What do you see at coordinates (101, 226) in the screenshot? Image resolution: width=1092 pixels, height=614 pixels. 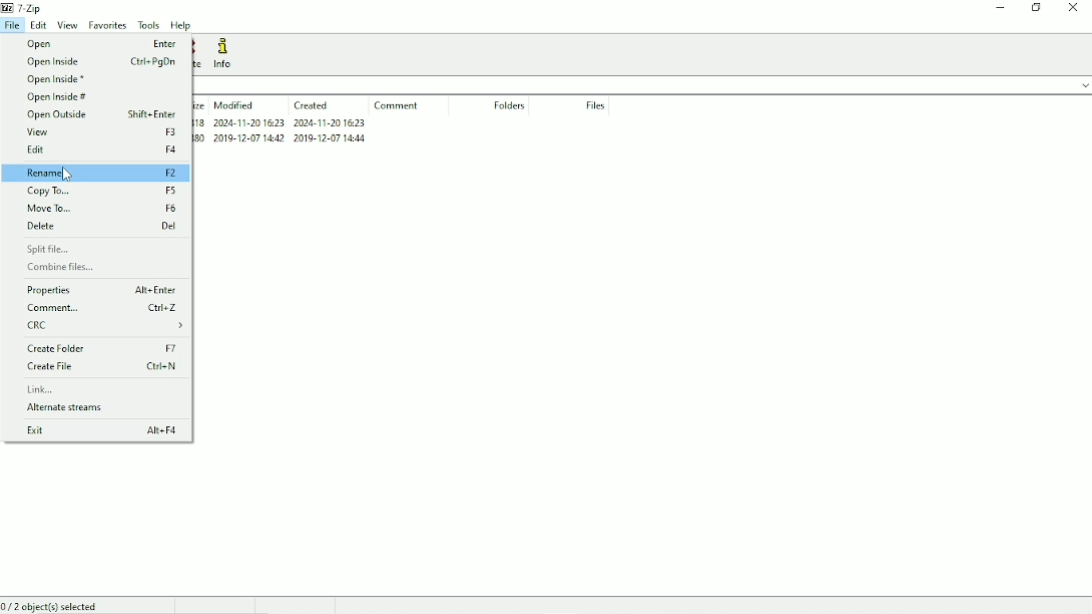 I see `Delete` at bounding box center [101, 226].